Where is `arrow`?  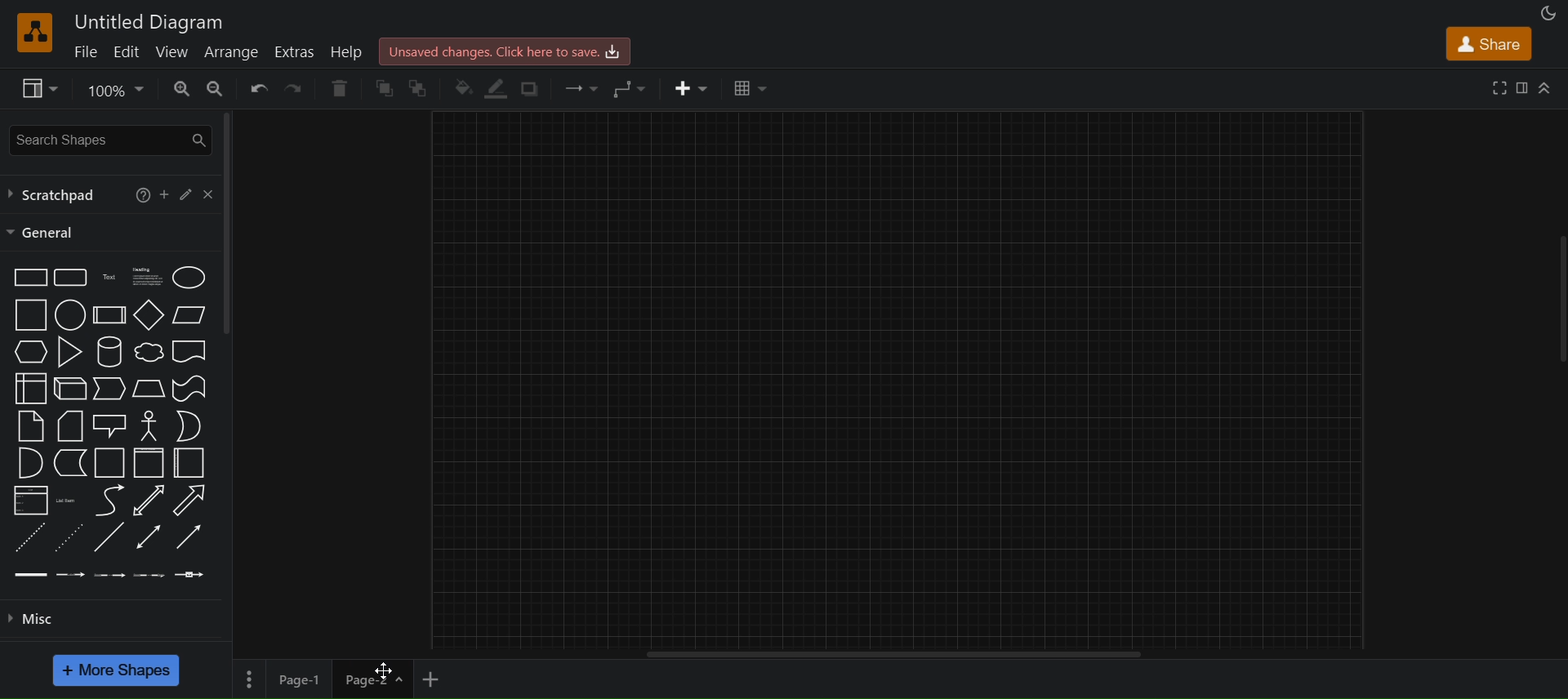
arrow is located at coordinates (189, 499).